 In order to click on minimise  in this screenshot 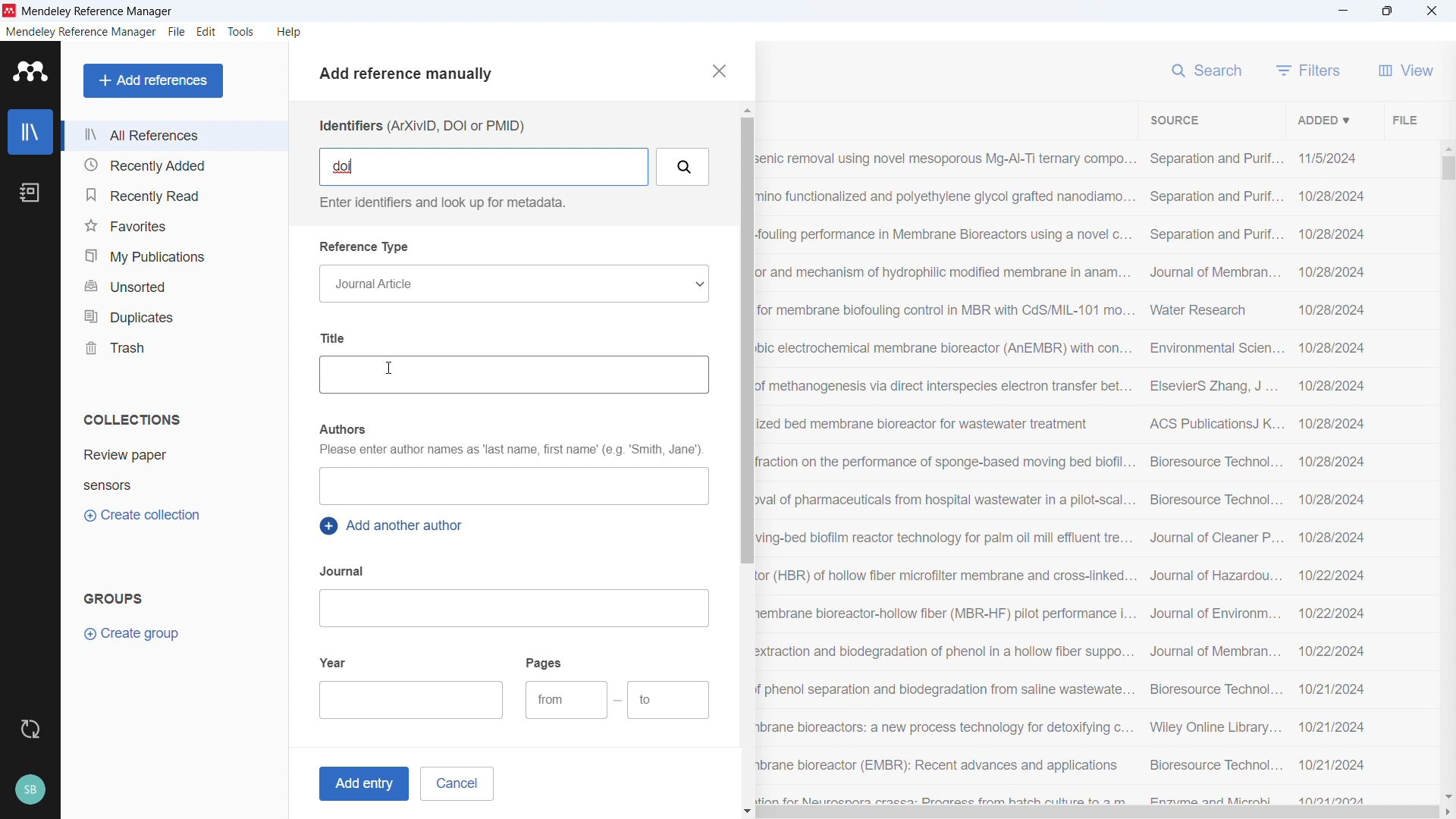, I will do `click(1344, 11)`.